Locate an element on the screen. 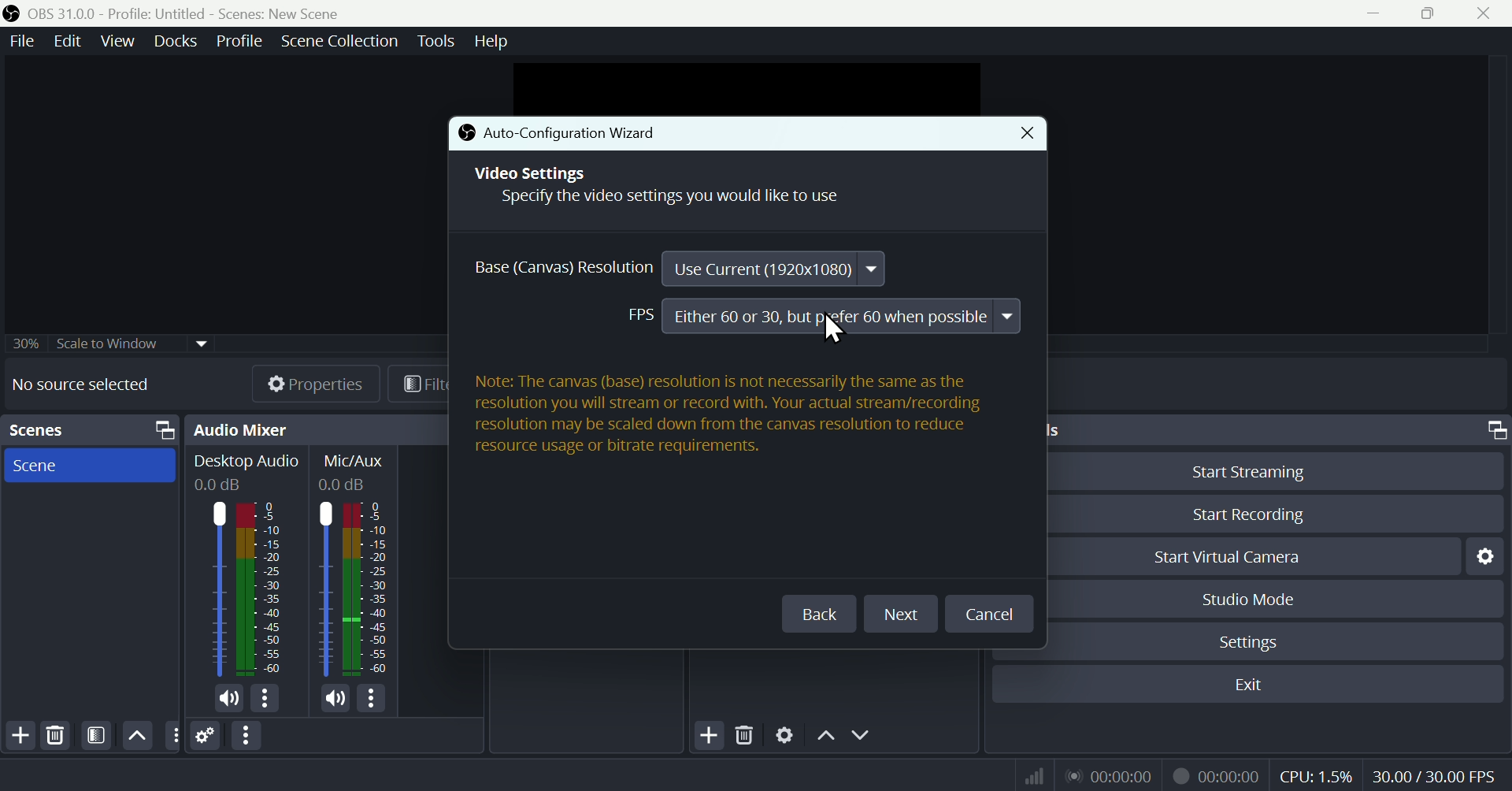 This screenshot has width=1512, height=791. Auto-Configuration Wizard is located at coordinates (601, 134).